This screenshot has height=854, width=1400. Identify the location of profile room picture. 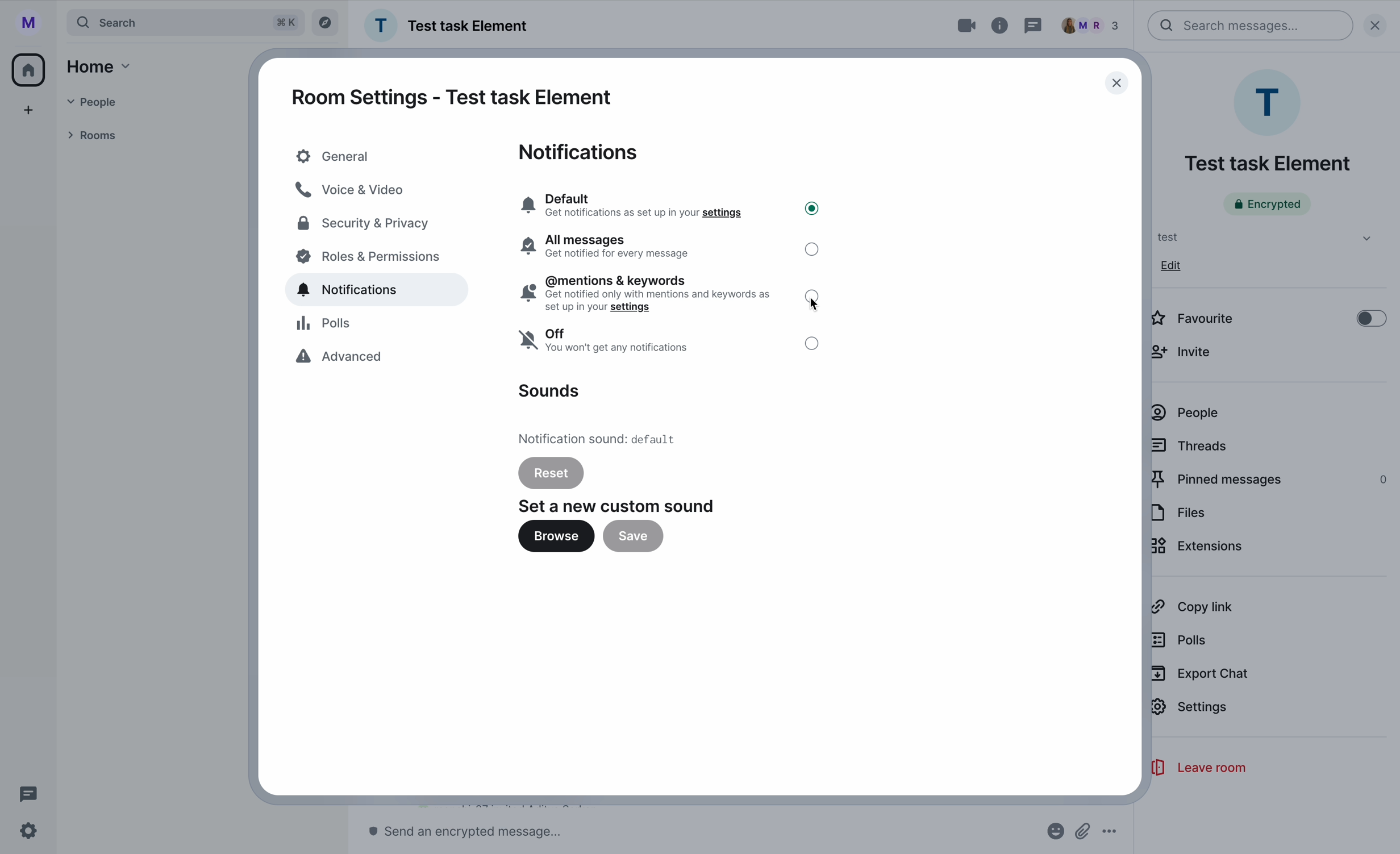
(1270, 102).